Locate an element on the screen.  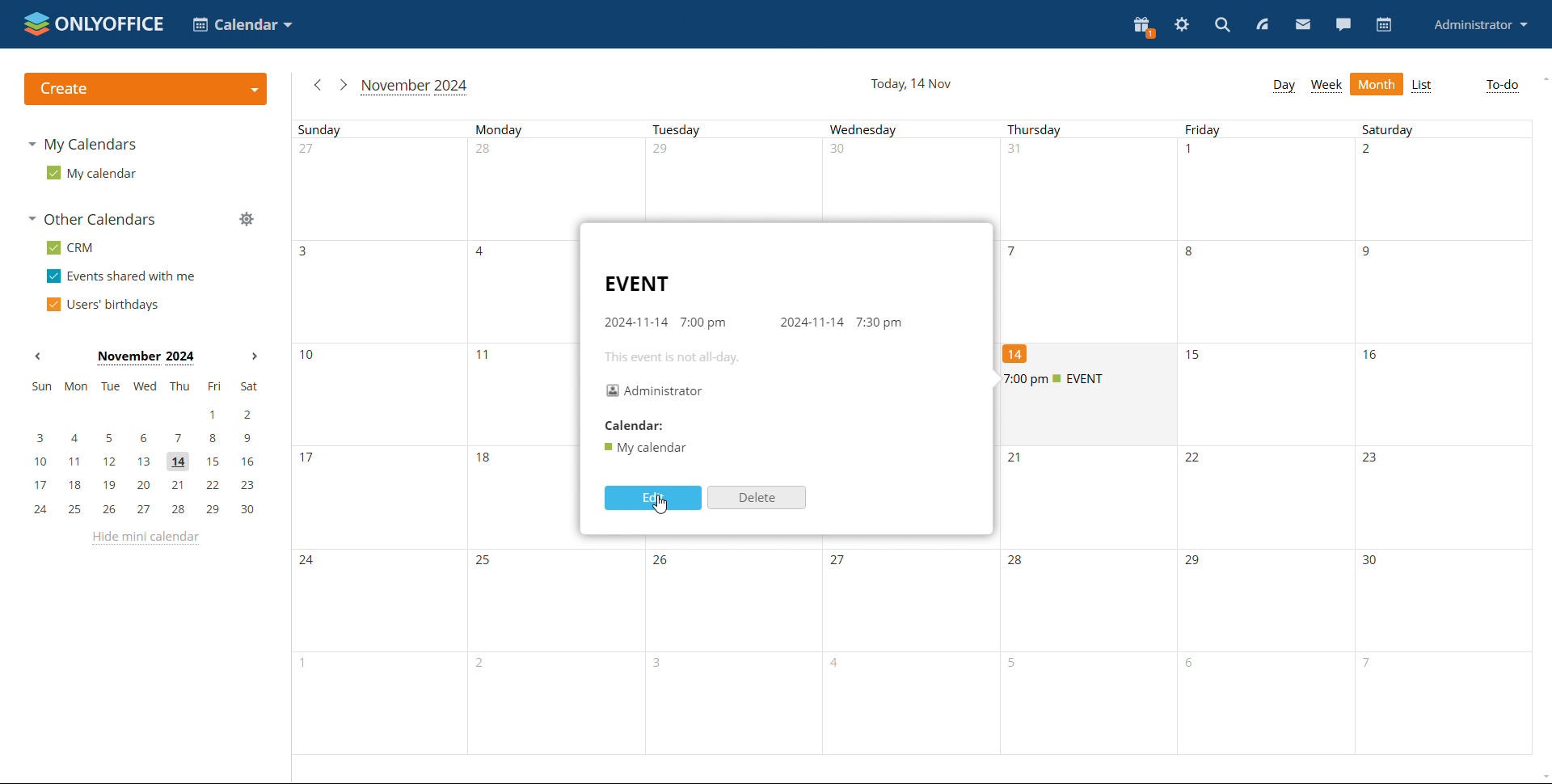
number is located at coordinates (311, 563).